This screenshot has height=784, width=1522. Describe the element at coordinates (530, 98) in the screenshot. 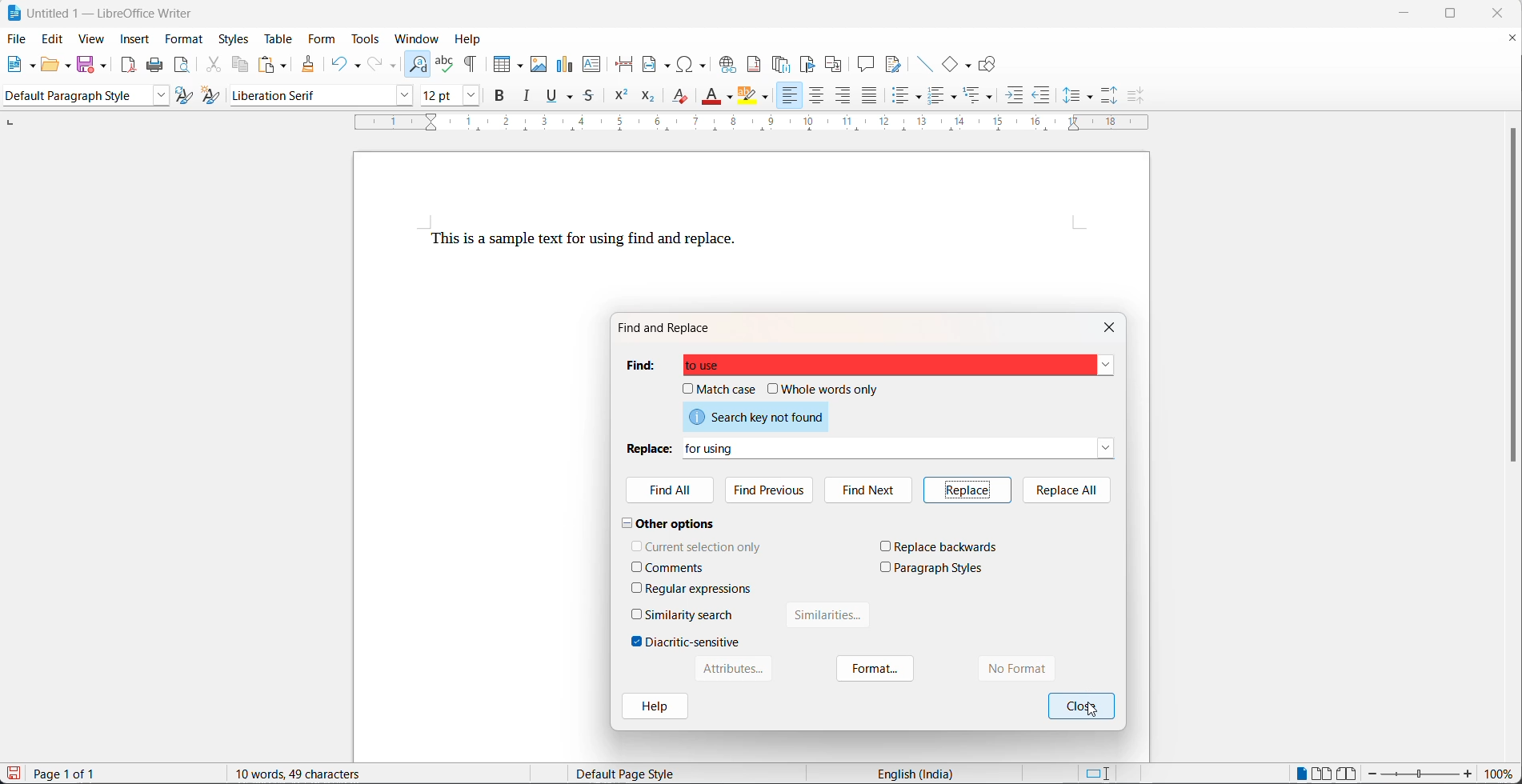

I see `italic` at that location.